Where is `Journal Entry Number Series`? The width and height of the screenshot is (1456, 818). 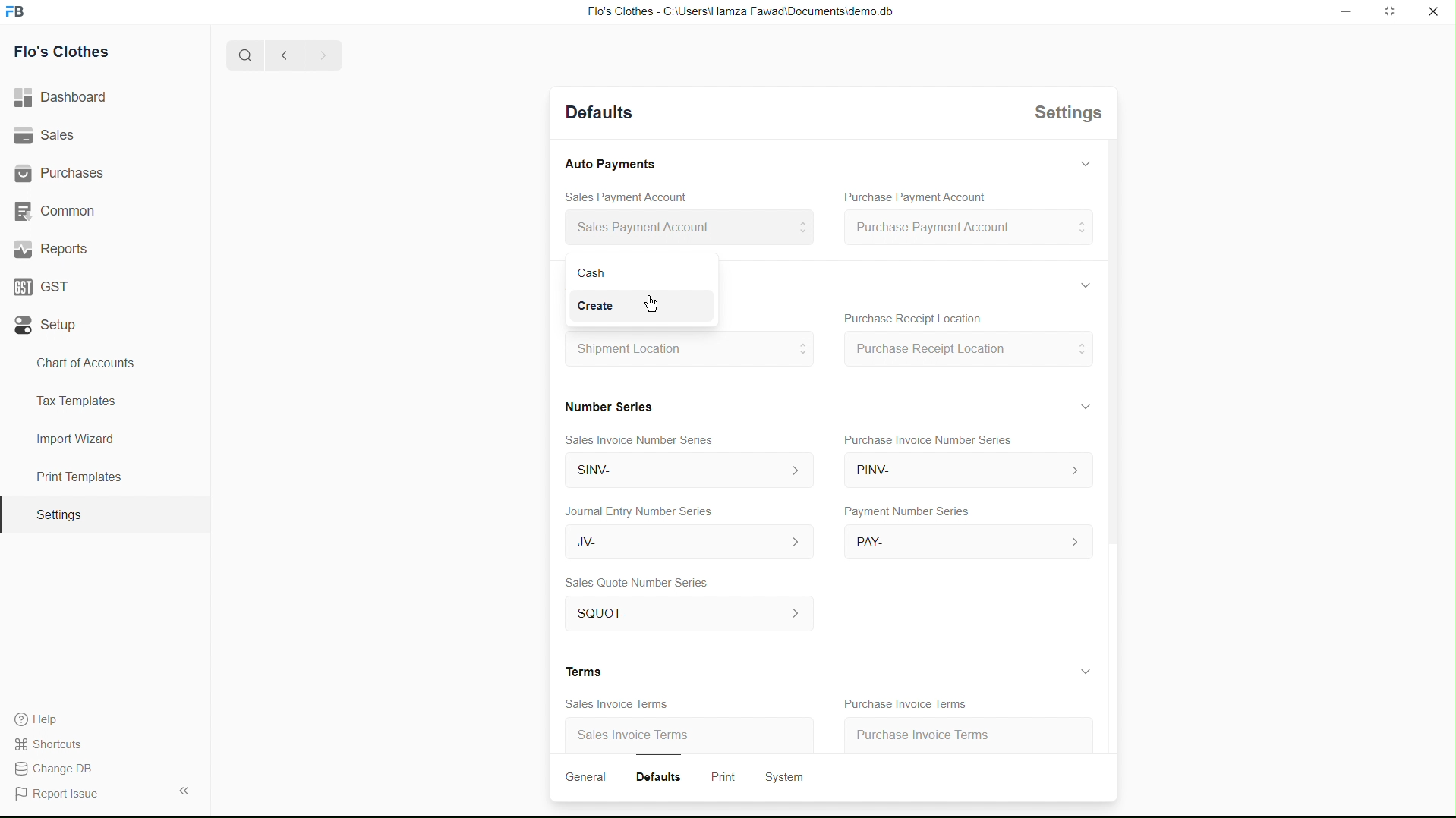
Journal Entry Number Series is located at coordinates (635, 512).